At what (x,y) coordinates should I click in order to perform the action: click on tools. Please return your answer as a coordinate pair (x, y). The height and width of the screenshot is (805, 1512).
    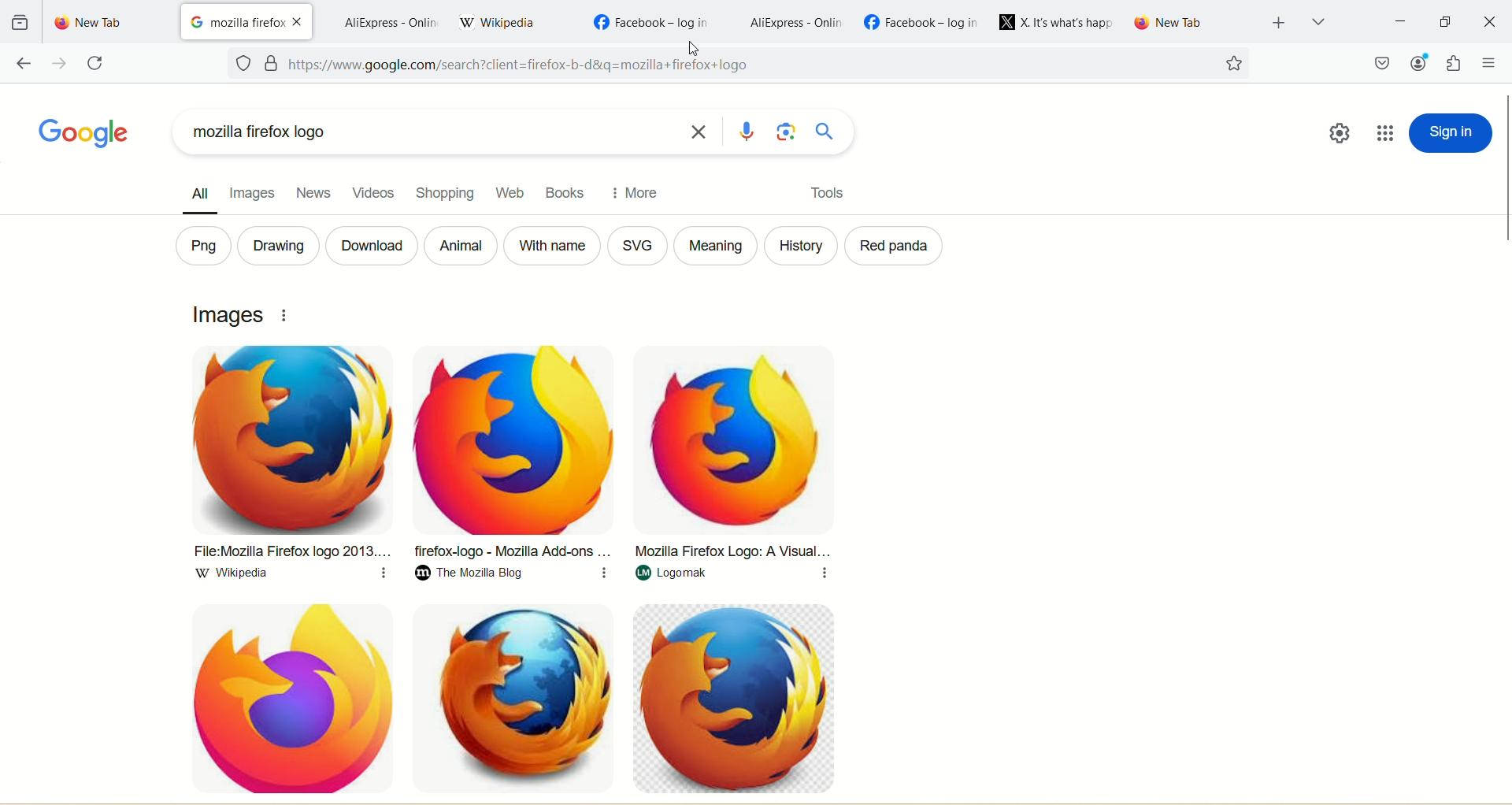
    Looking at the image, I should click on (821, 196).